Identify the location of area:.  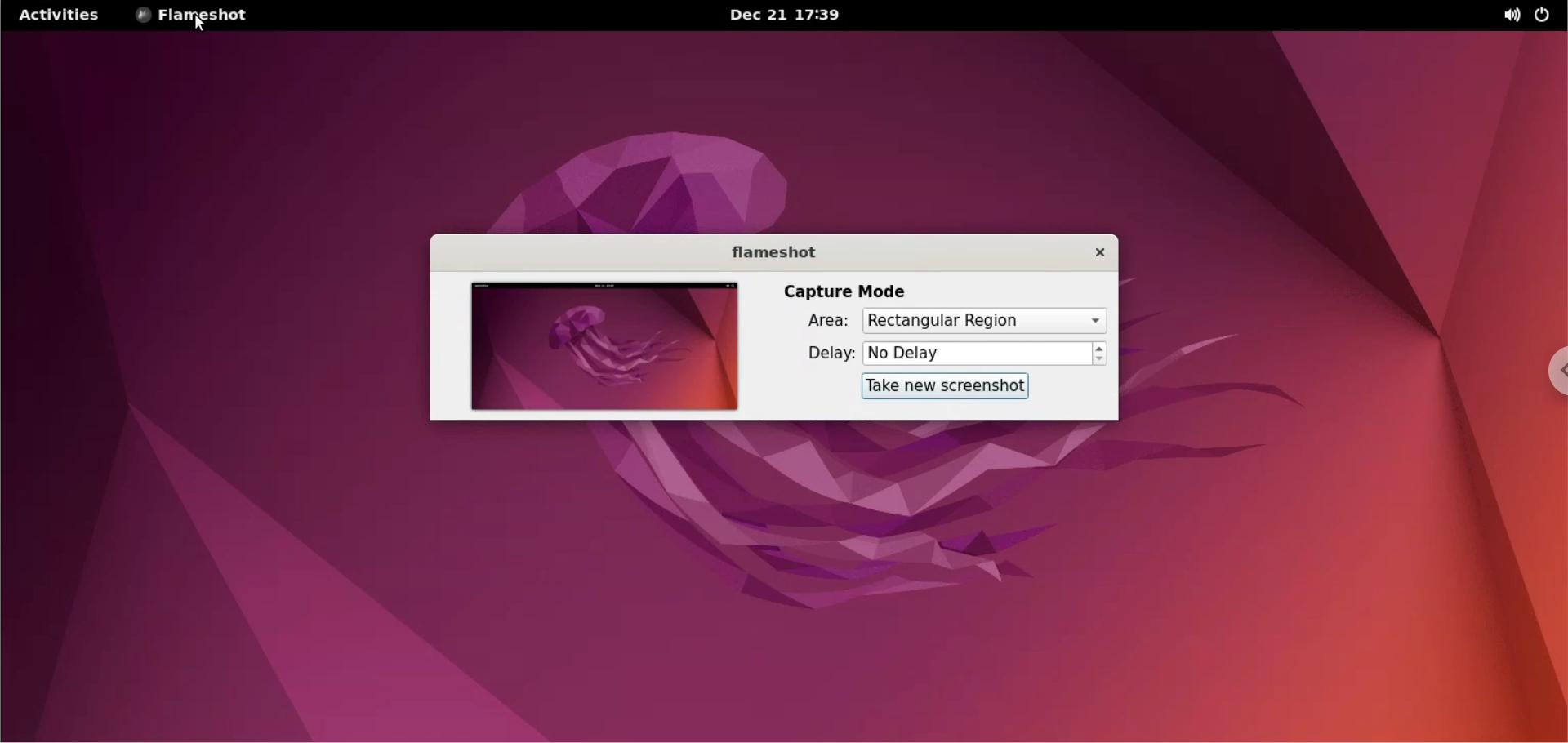
(816, 323).